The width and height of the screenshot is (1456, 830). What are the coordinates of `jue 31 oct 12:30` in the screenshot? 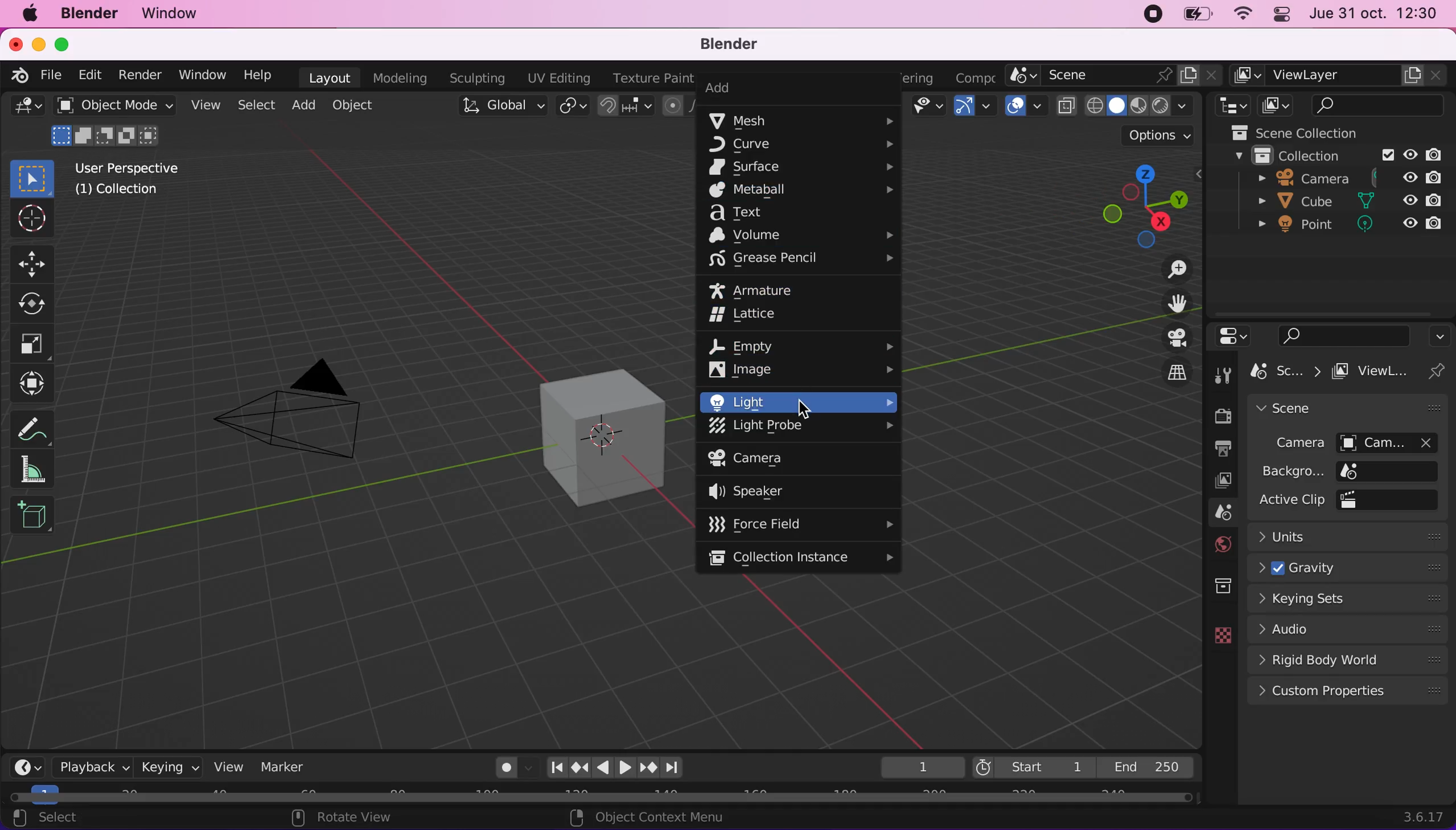 It's located at (1373, 14).